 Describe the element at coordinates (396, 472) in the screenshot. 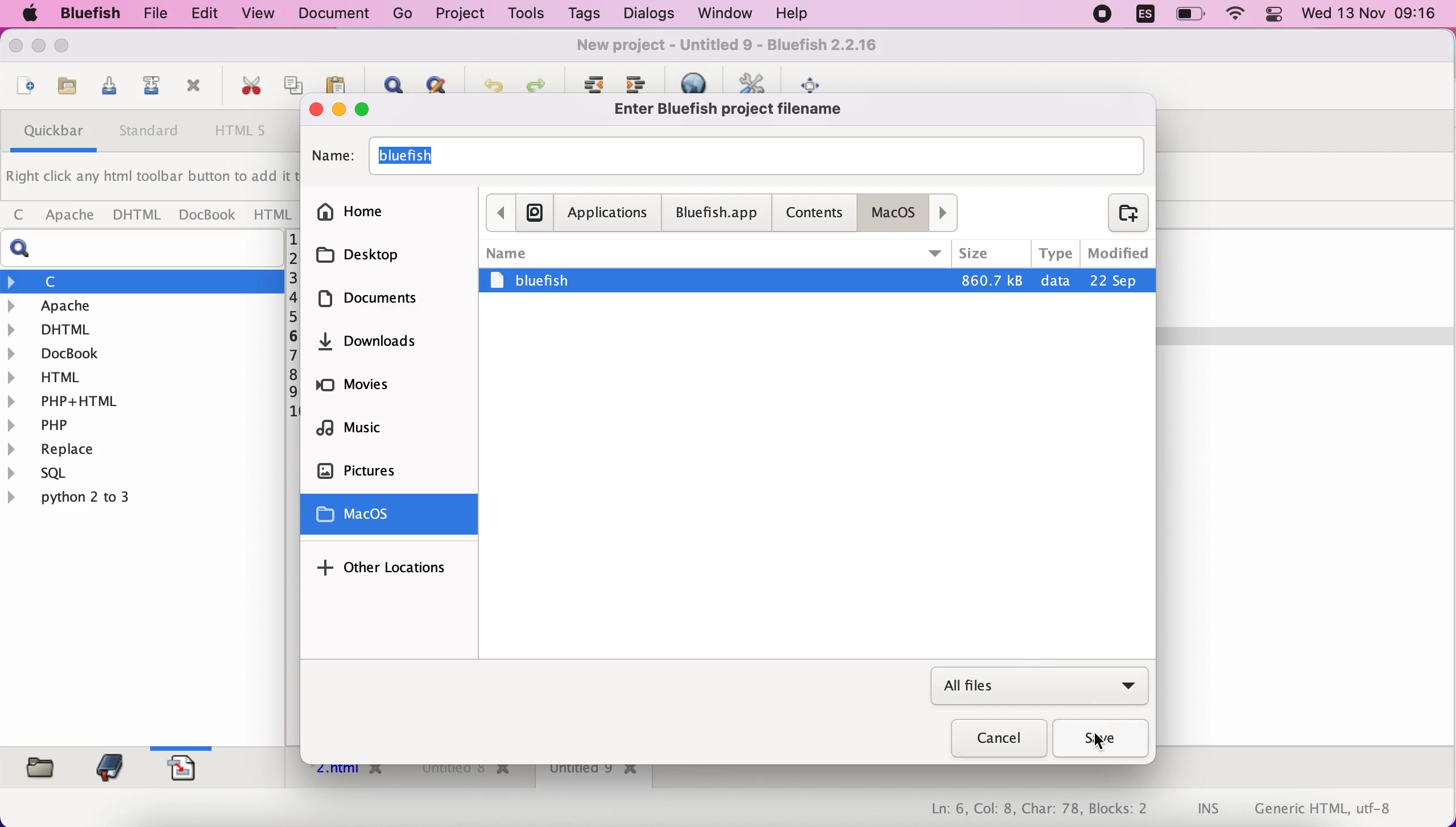

I see `pictures` at that location.